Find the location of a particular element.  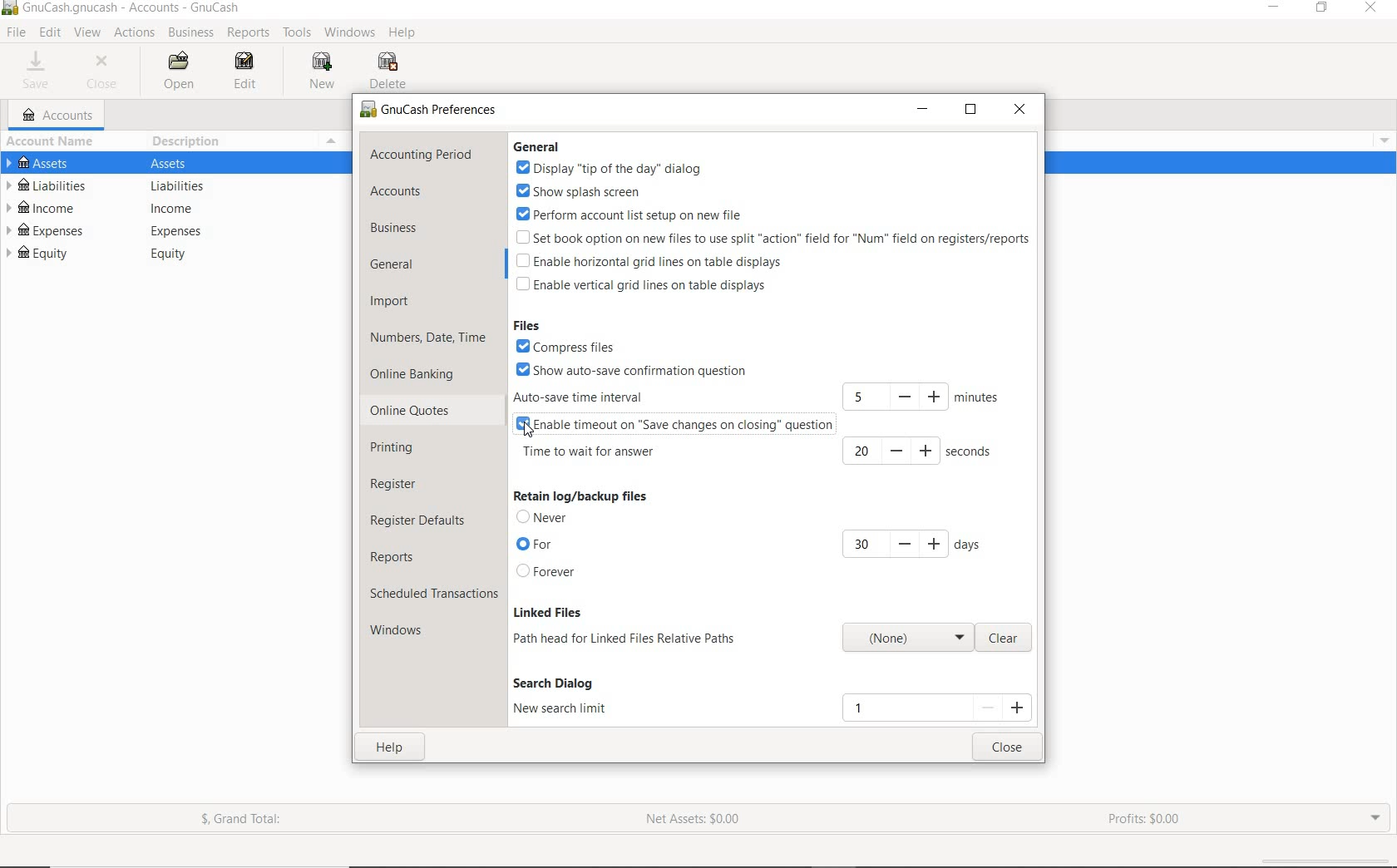

FILE NAME is located at coordinates (122, 7).